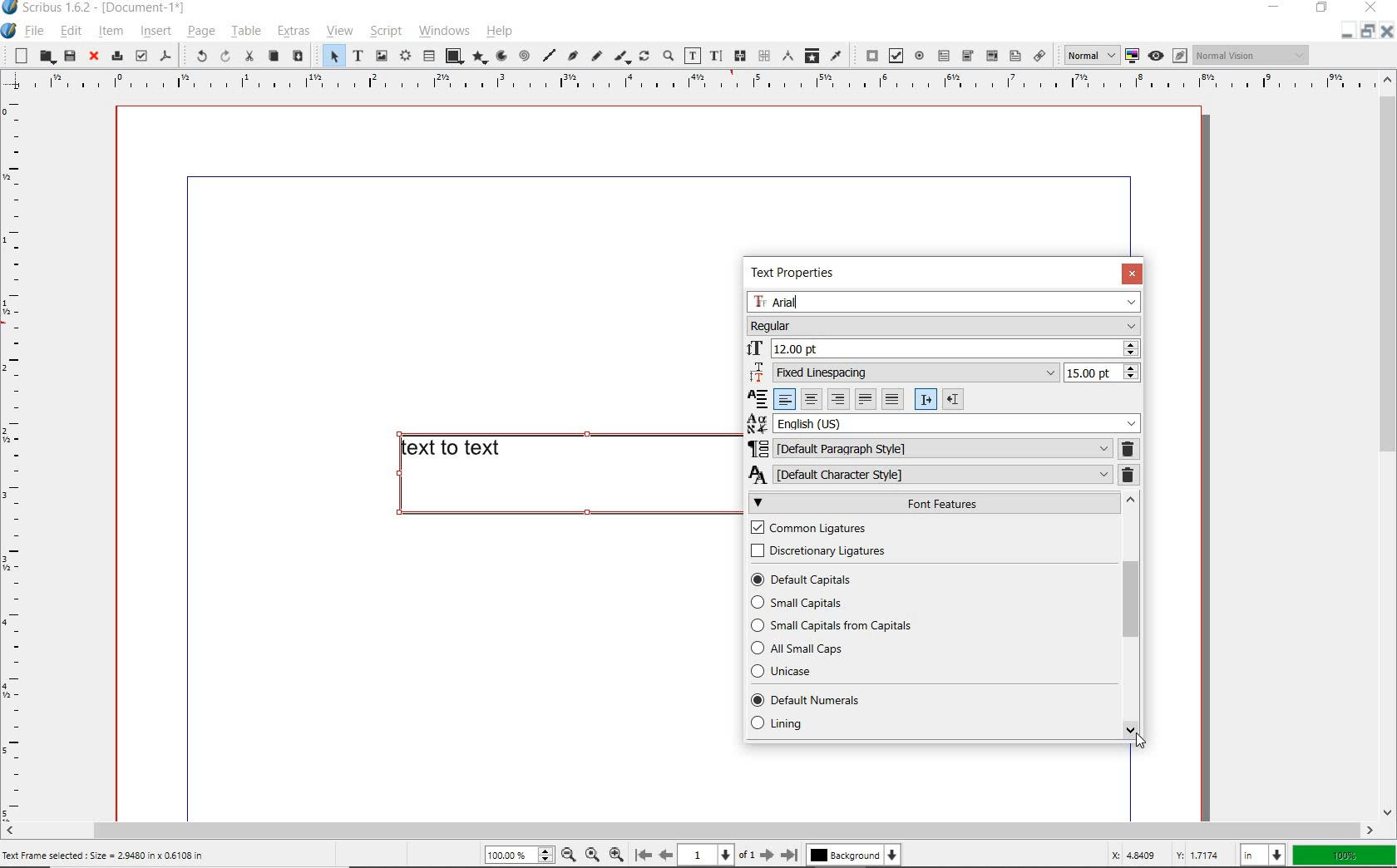 The image size is (1397, 868). What do you see at coordinates (500, 57) in the screenshot?
I see `arc` at bounding box center [500, 57].